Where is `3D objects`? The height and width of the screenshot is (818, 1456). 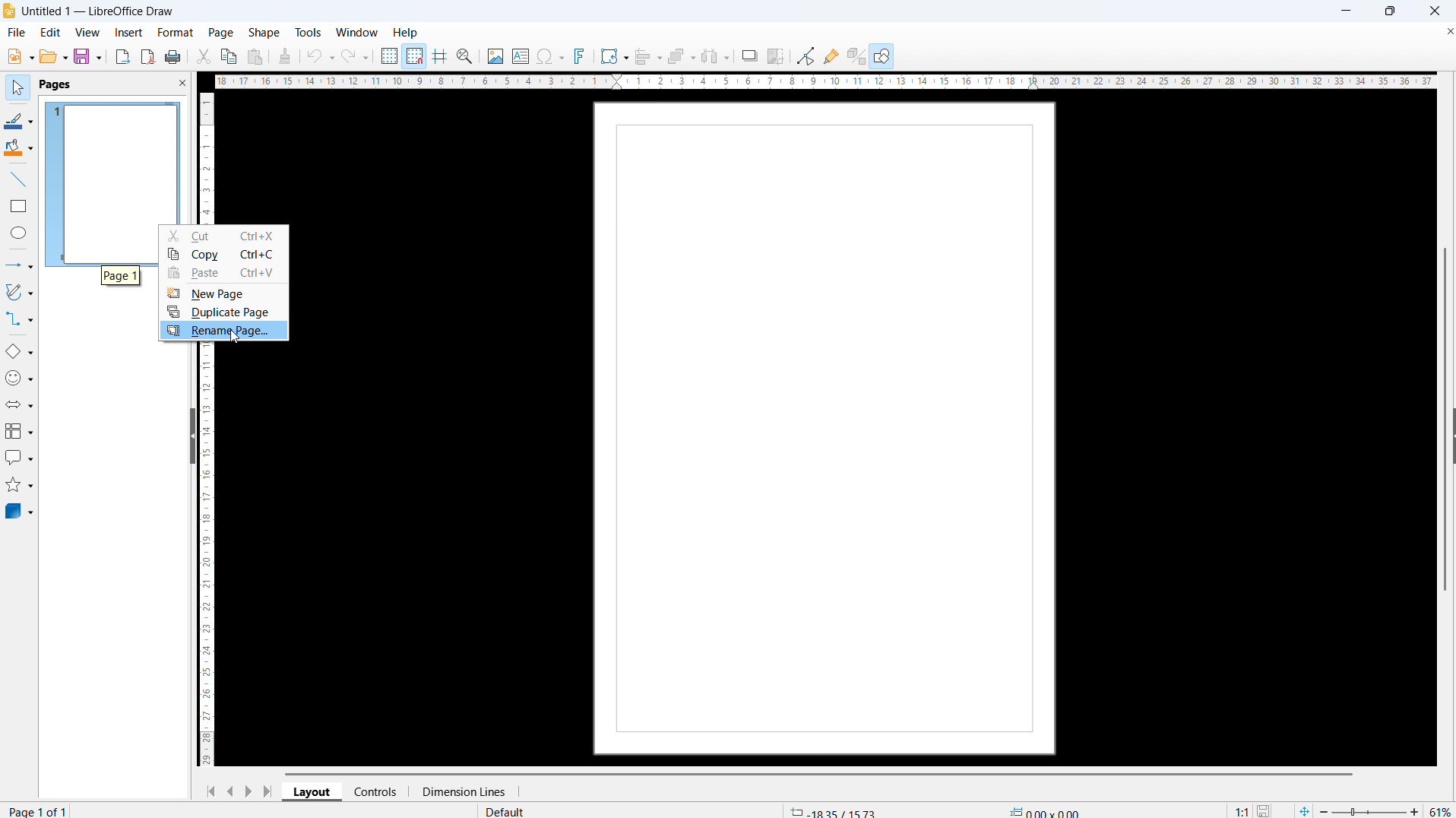 3D objects is located at coordinates (20, 511).